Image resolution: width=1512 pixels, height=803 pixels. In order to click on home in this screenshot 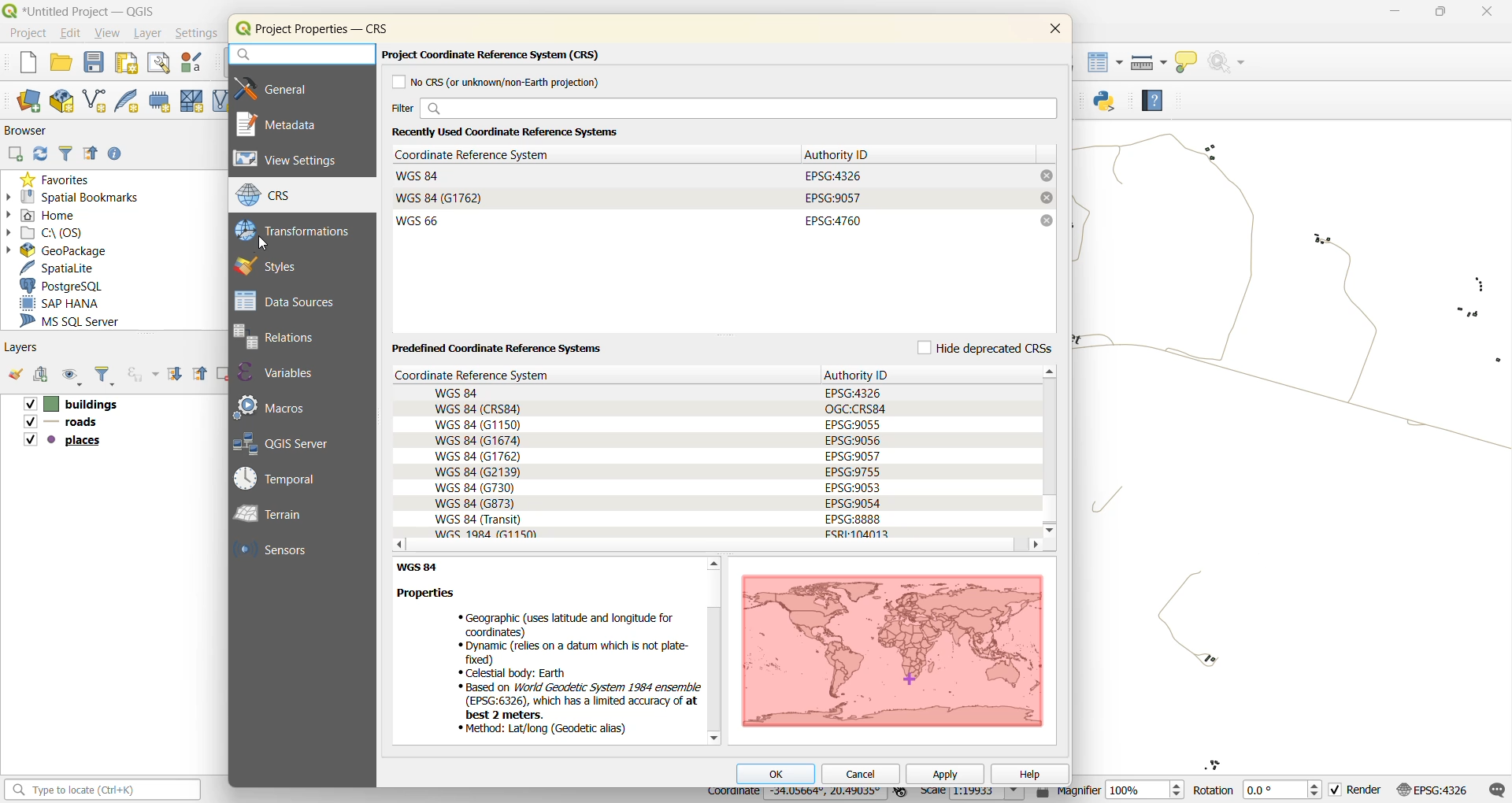, I will do `click(48, 213)`.